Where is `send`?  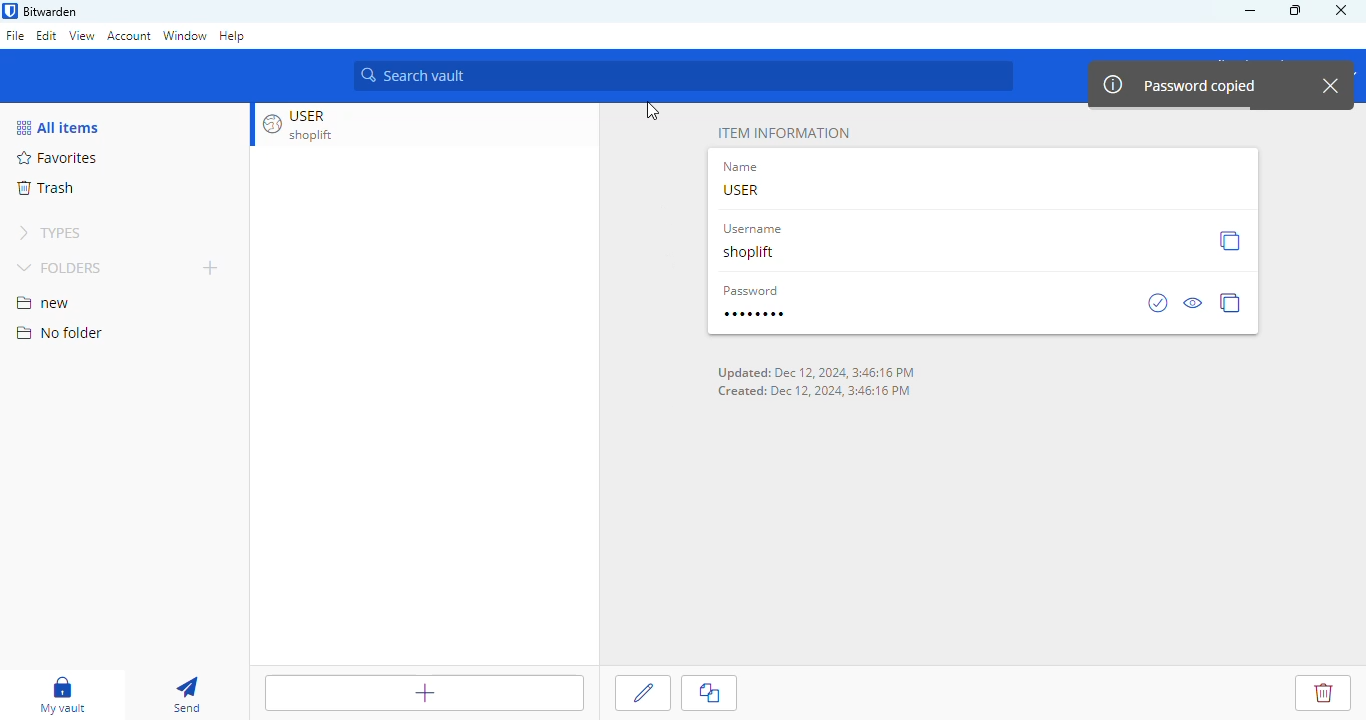 send is located at coordinates (185, 694).